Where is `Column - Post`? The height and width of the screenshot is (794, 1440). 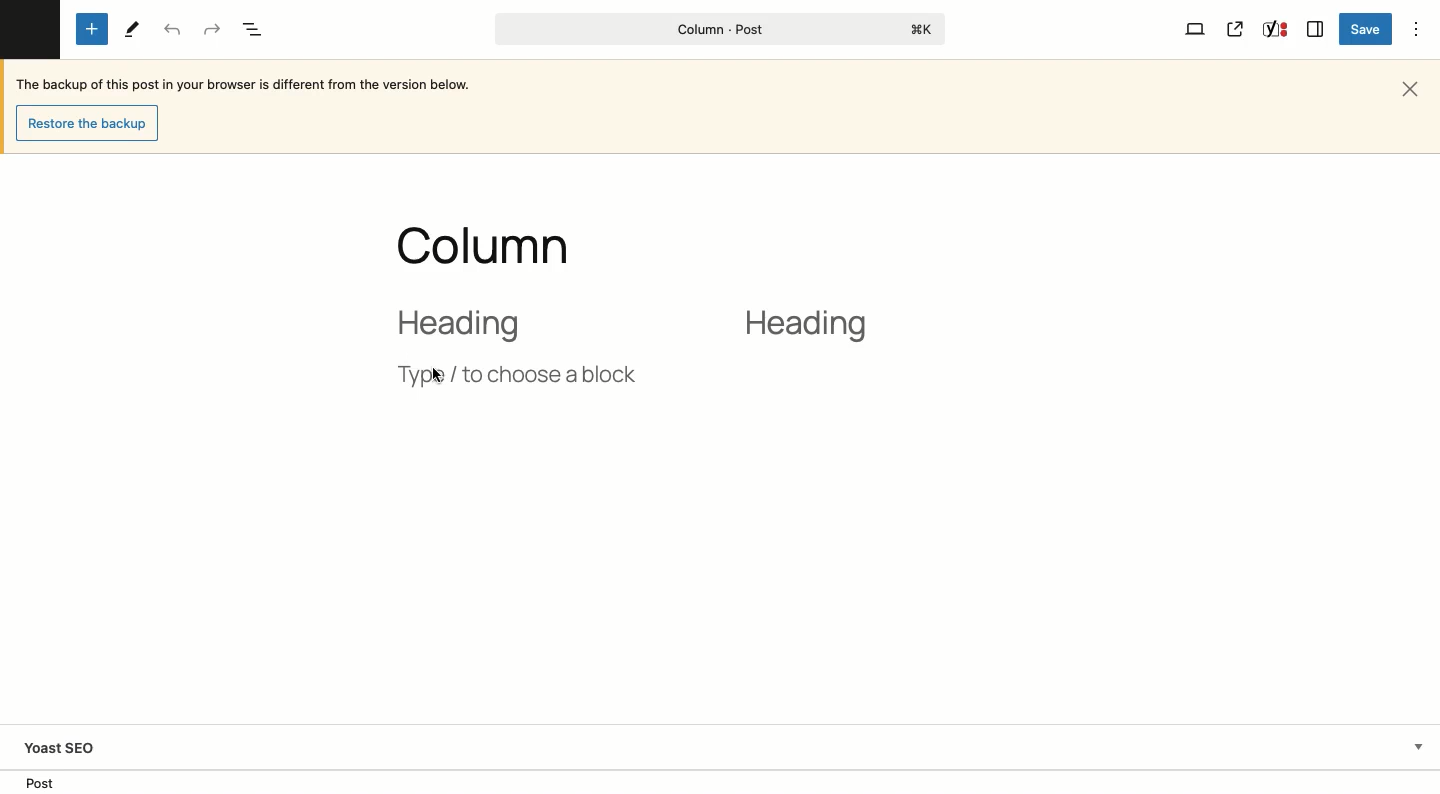
Column - Post is located at coordinates (715, 29).